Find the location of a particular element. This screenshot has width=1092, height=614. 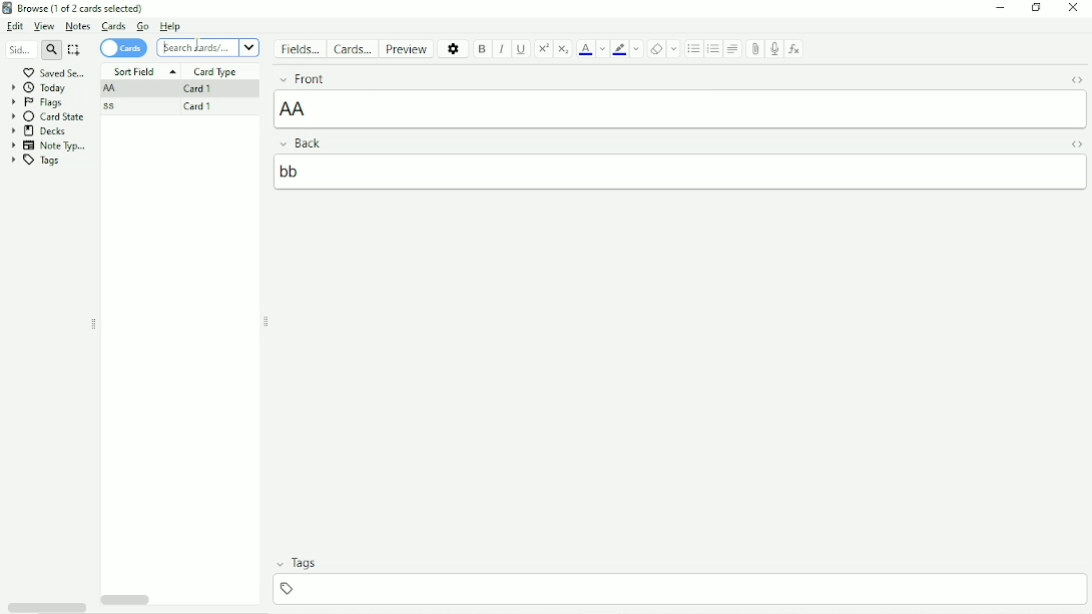

Card Type is located at coordinates (215, 72).